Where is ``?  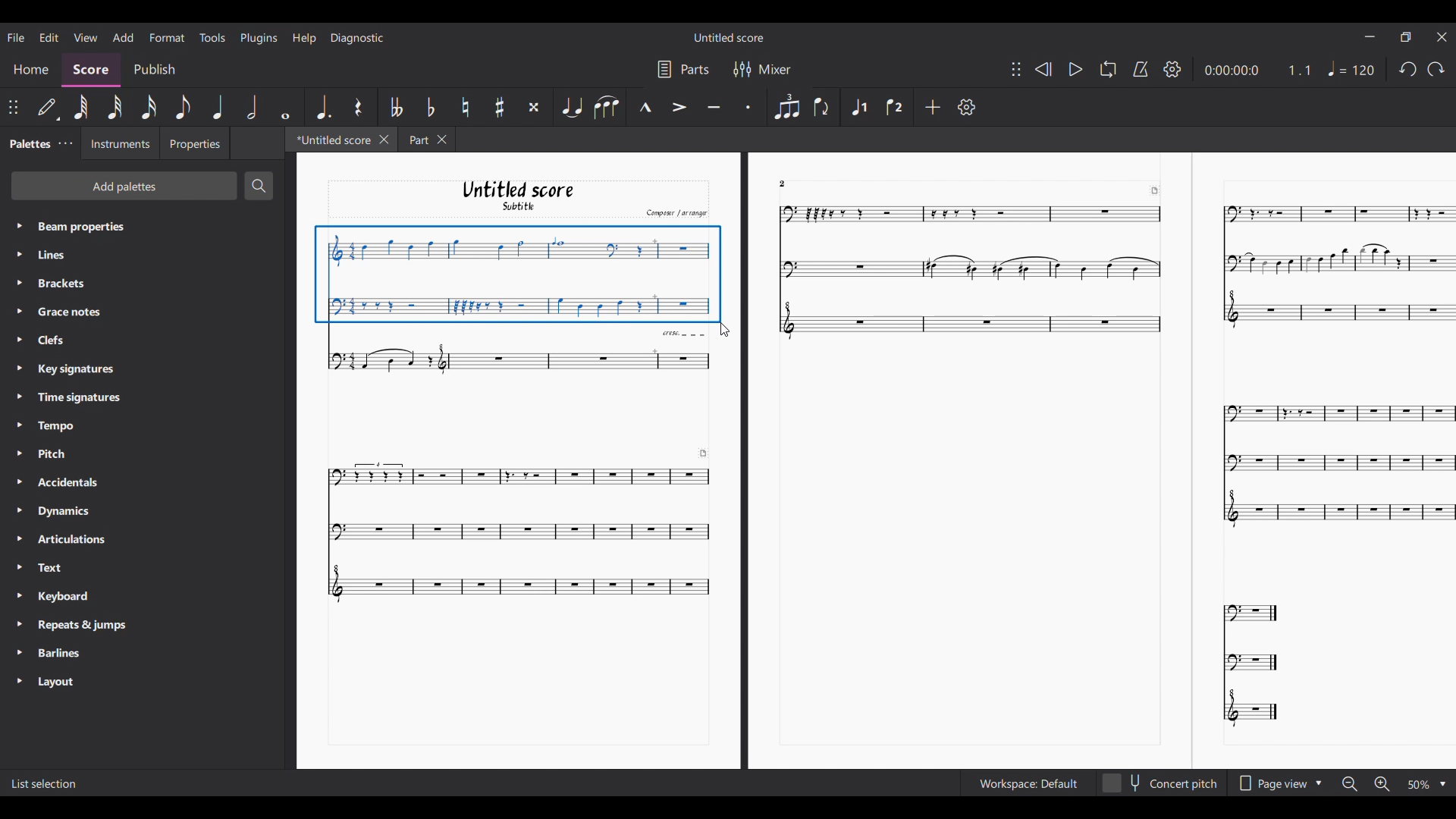  is located at coordinates (523, 362).